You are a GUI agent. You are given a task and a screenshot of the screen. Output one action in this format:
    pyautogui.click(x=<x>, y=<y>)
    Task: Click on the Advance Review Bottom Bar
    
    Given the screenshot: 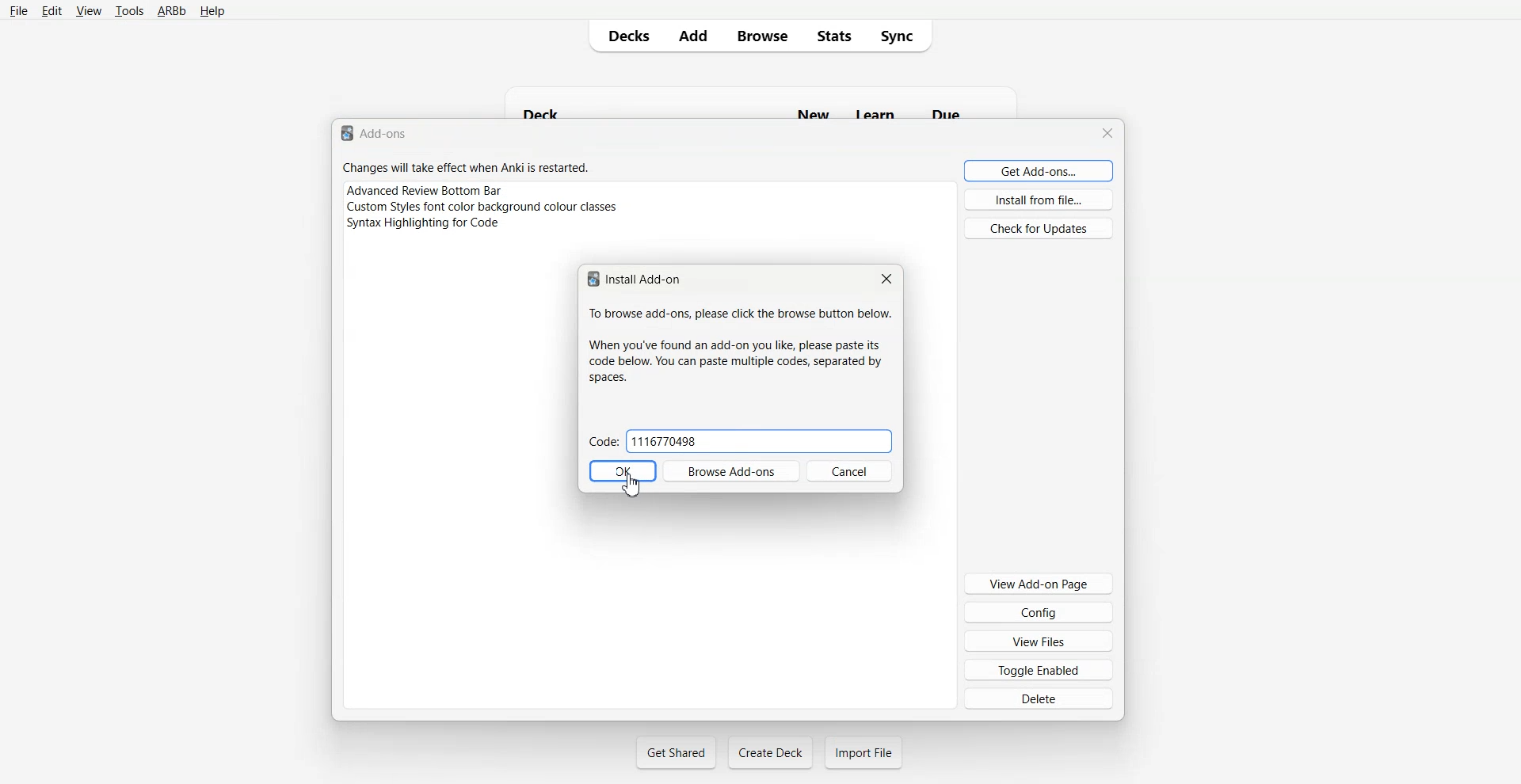 What is the action you would take?
    pyautogui.click(x=650, y=189)
    